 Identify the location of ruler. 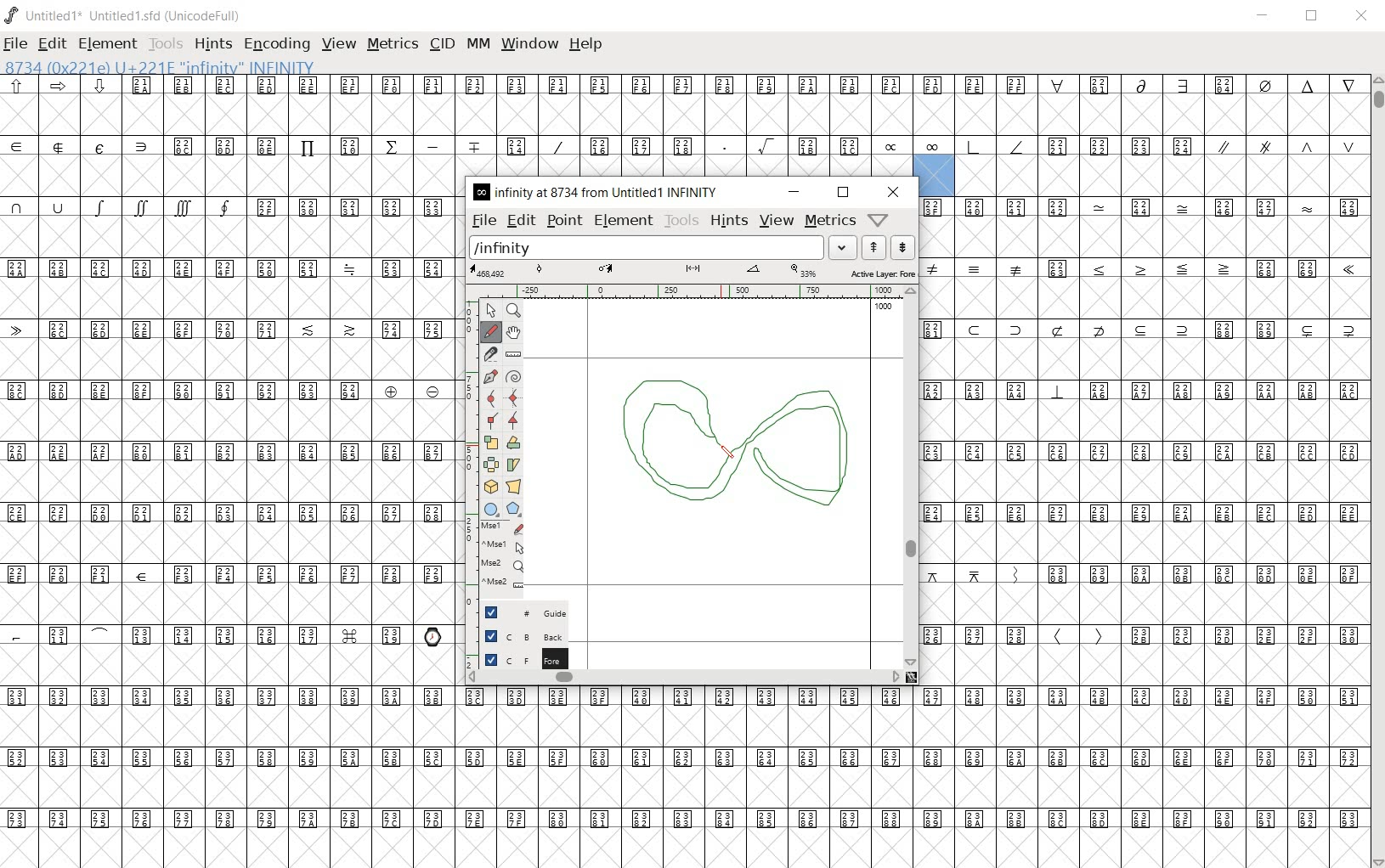
(691, 291).